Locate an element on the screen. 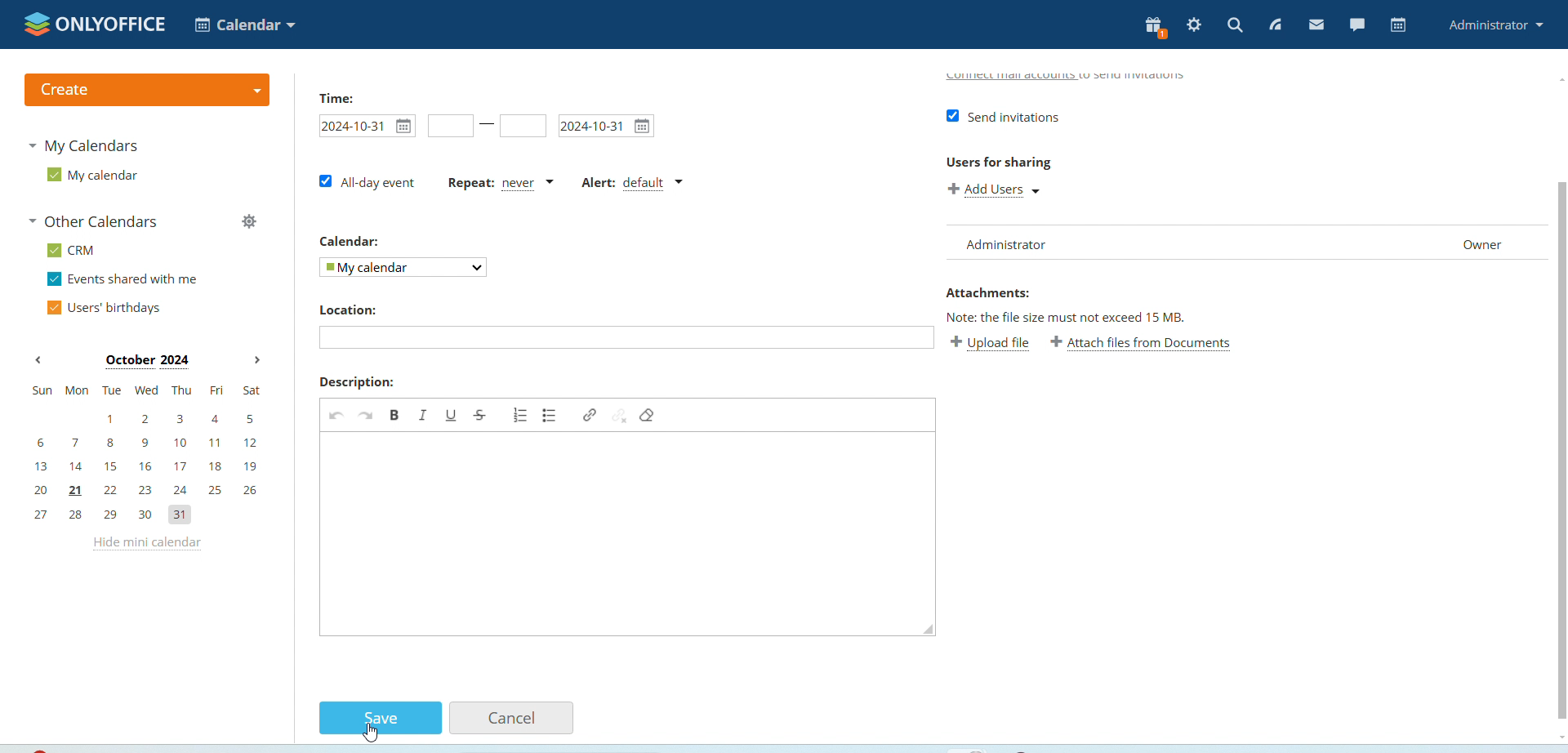 Image resolution: width=1568 pixels, height=753 pixels. Add users is located at coordinates (996, 189).